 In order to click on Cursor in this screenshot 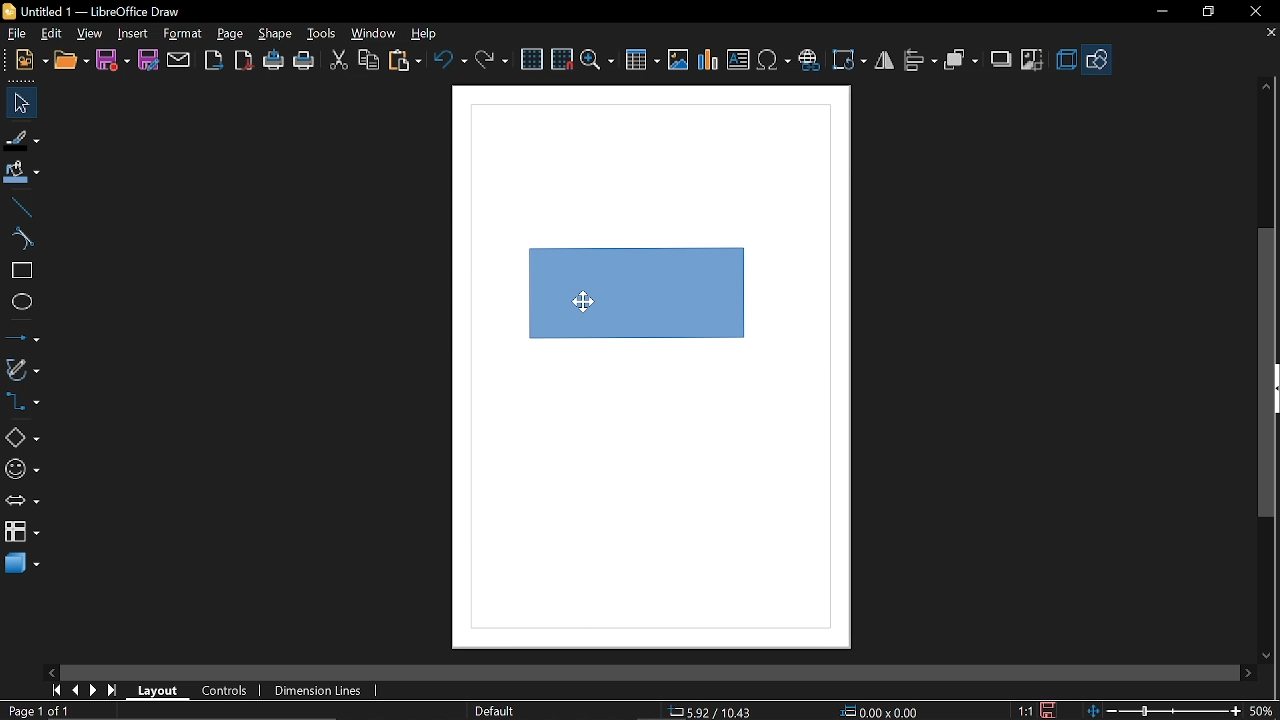, I will do `click(583, 304)`.